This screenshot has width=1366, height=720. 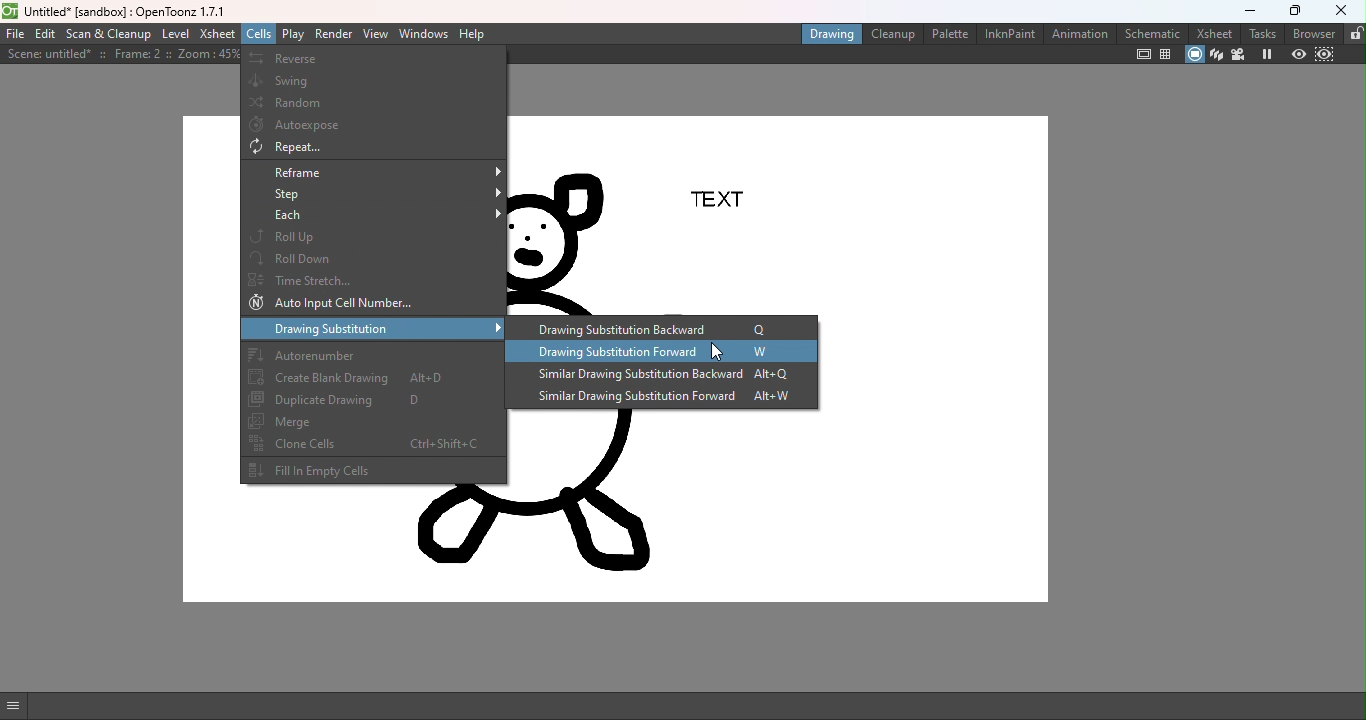 What do you see at coordinates (726, 199) in the screenshot?
I see `TEXT` at bounding box center [726, 199].